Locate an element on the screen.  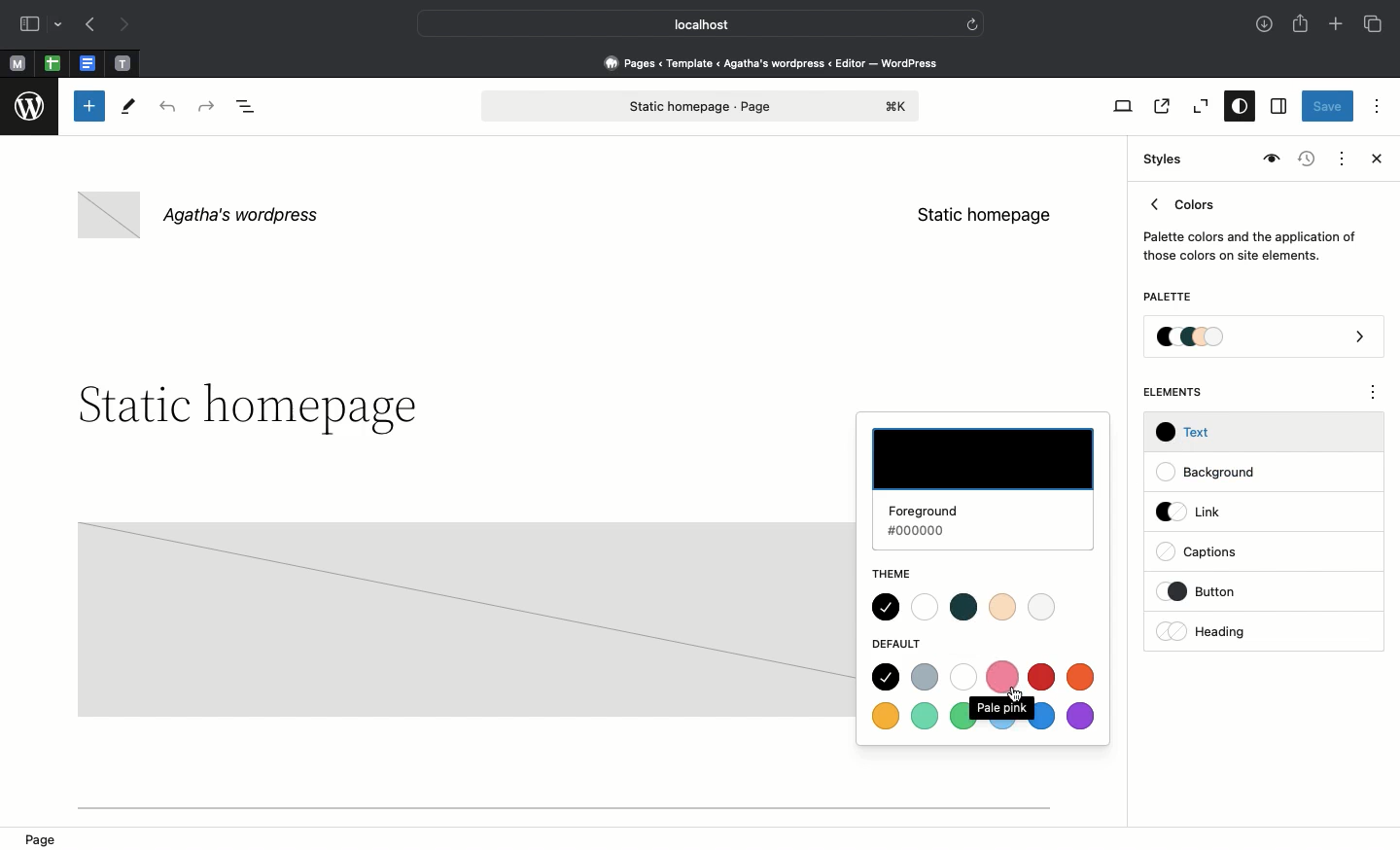
Heading is located at coordinates (1206, 631).